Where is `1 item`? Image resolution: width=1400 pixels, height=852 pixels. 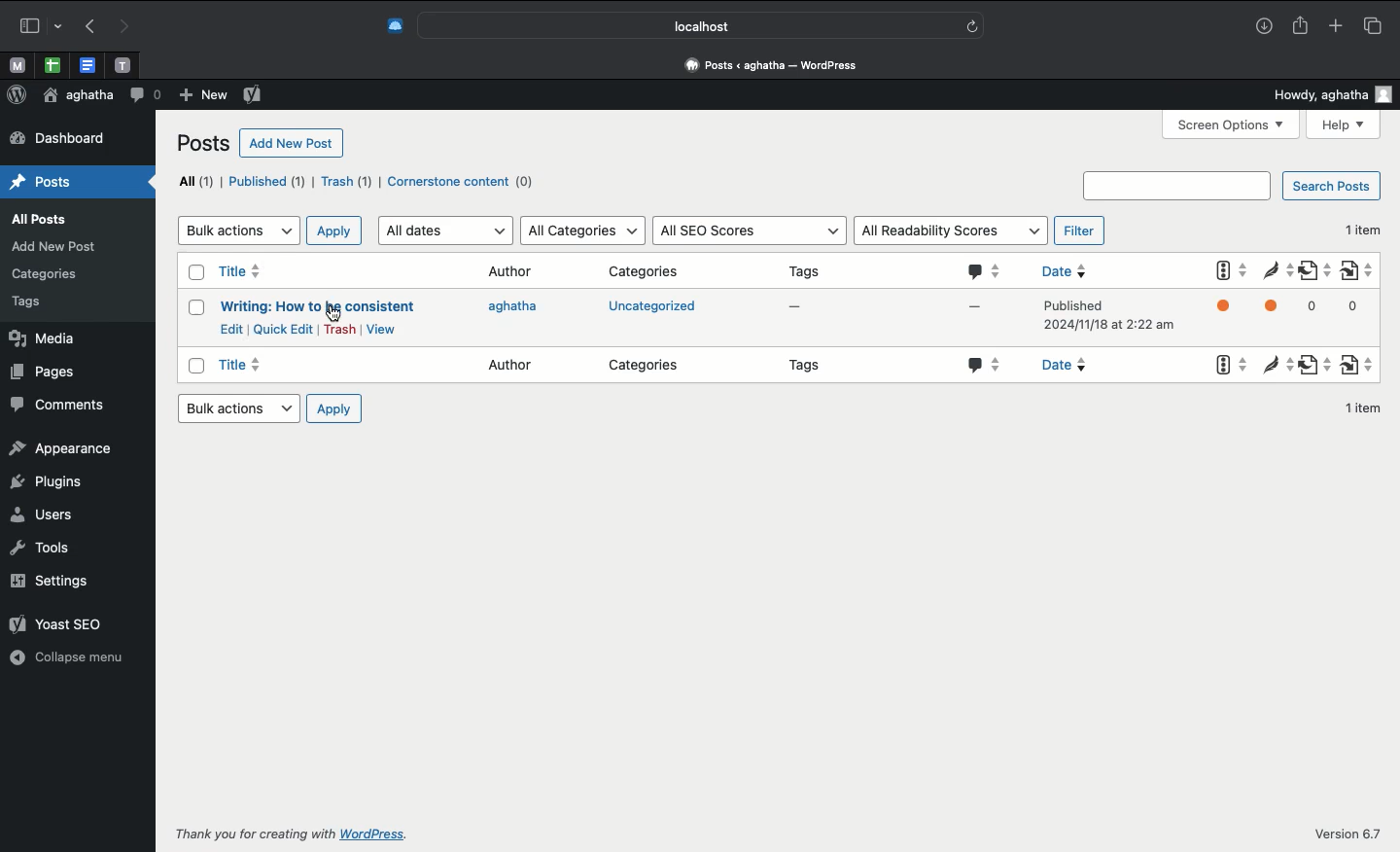 1 item is located at coordinates (1364, 409).